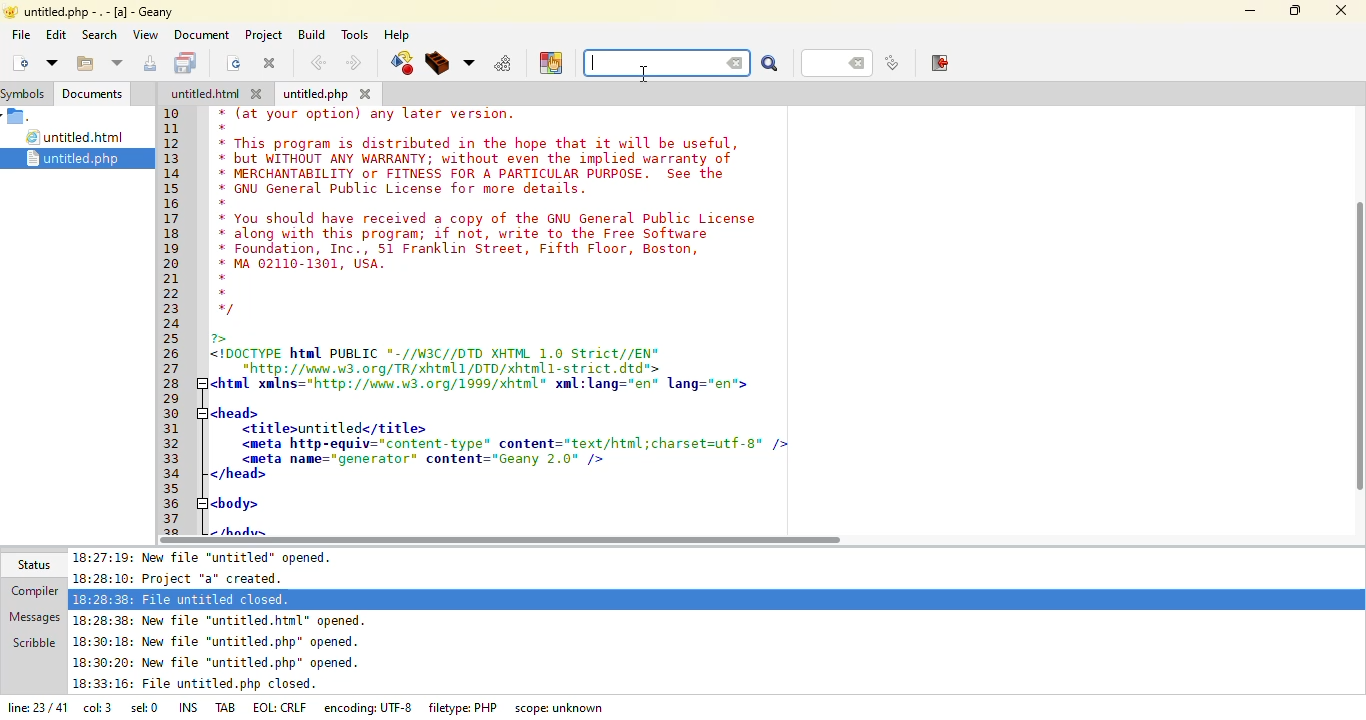  I want to click on <head>, so click(233, 411).